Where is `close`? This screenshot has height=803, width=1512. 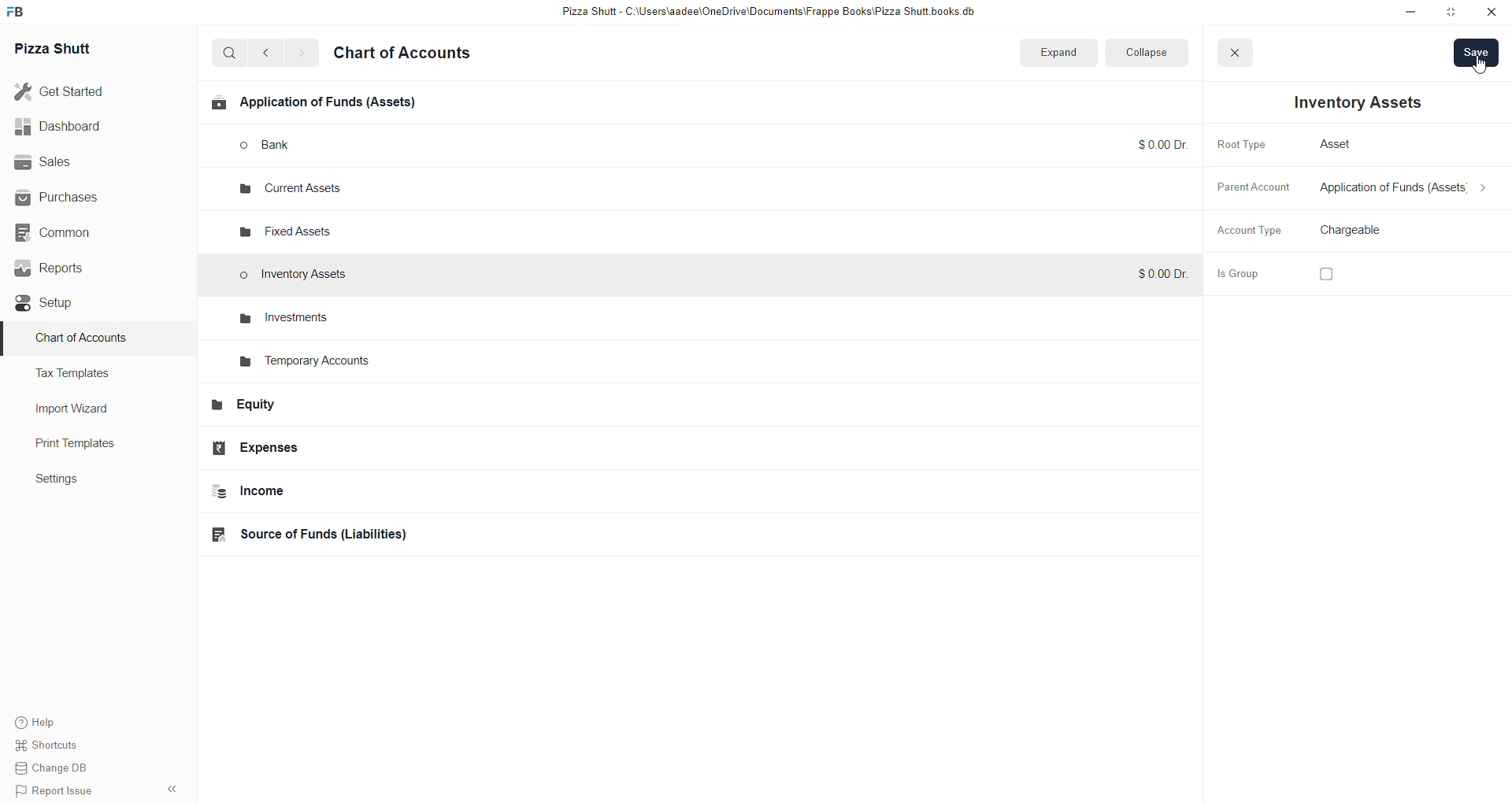 close is located at coordinates (1494, 13).